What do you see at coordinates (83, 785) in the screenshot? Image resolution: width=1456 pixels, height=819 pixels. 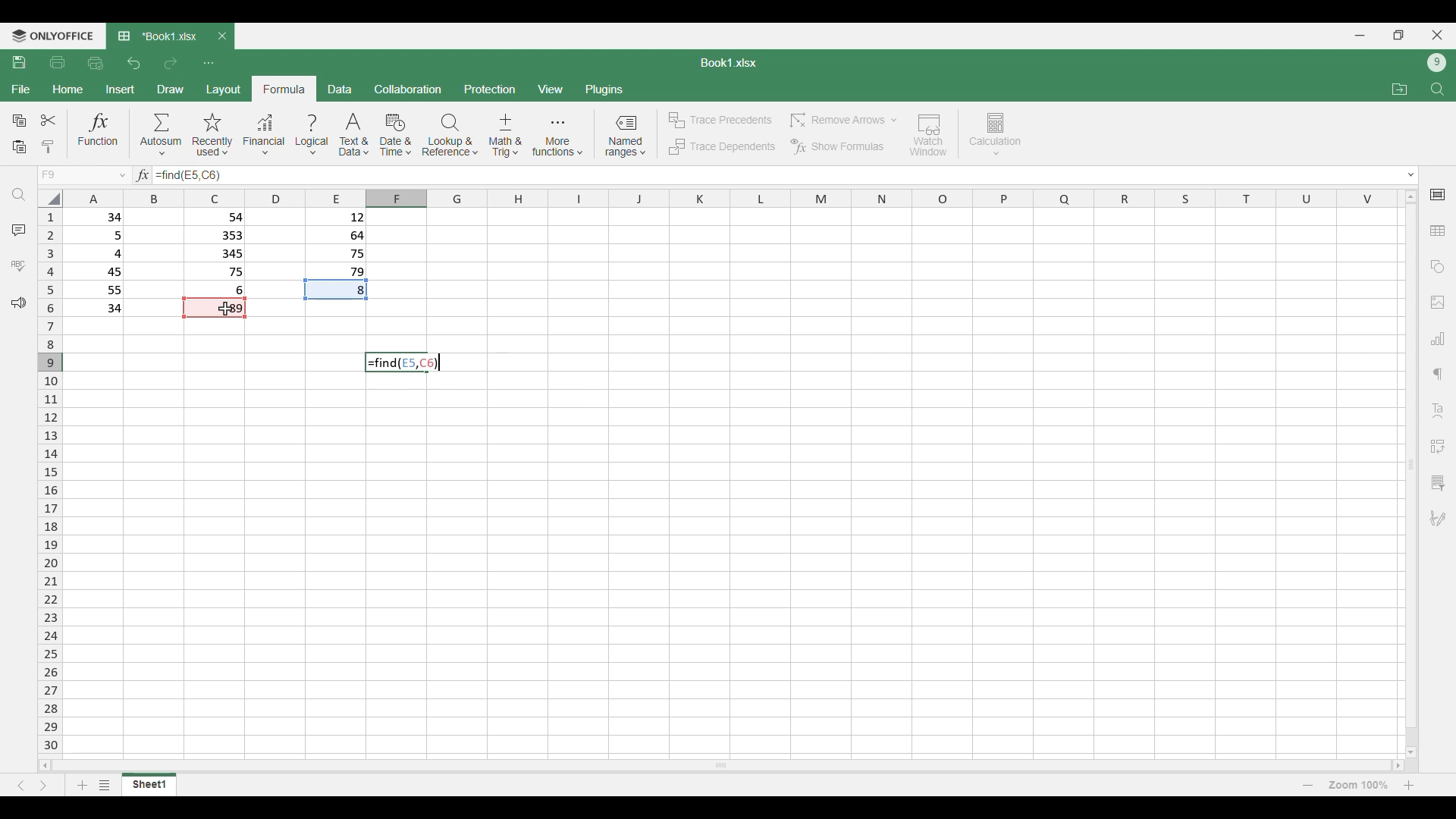 I see `Add sheet` at bounding box center [83, 785].